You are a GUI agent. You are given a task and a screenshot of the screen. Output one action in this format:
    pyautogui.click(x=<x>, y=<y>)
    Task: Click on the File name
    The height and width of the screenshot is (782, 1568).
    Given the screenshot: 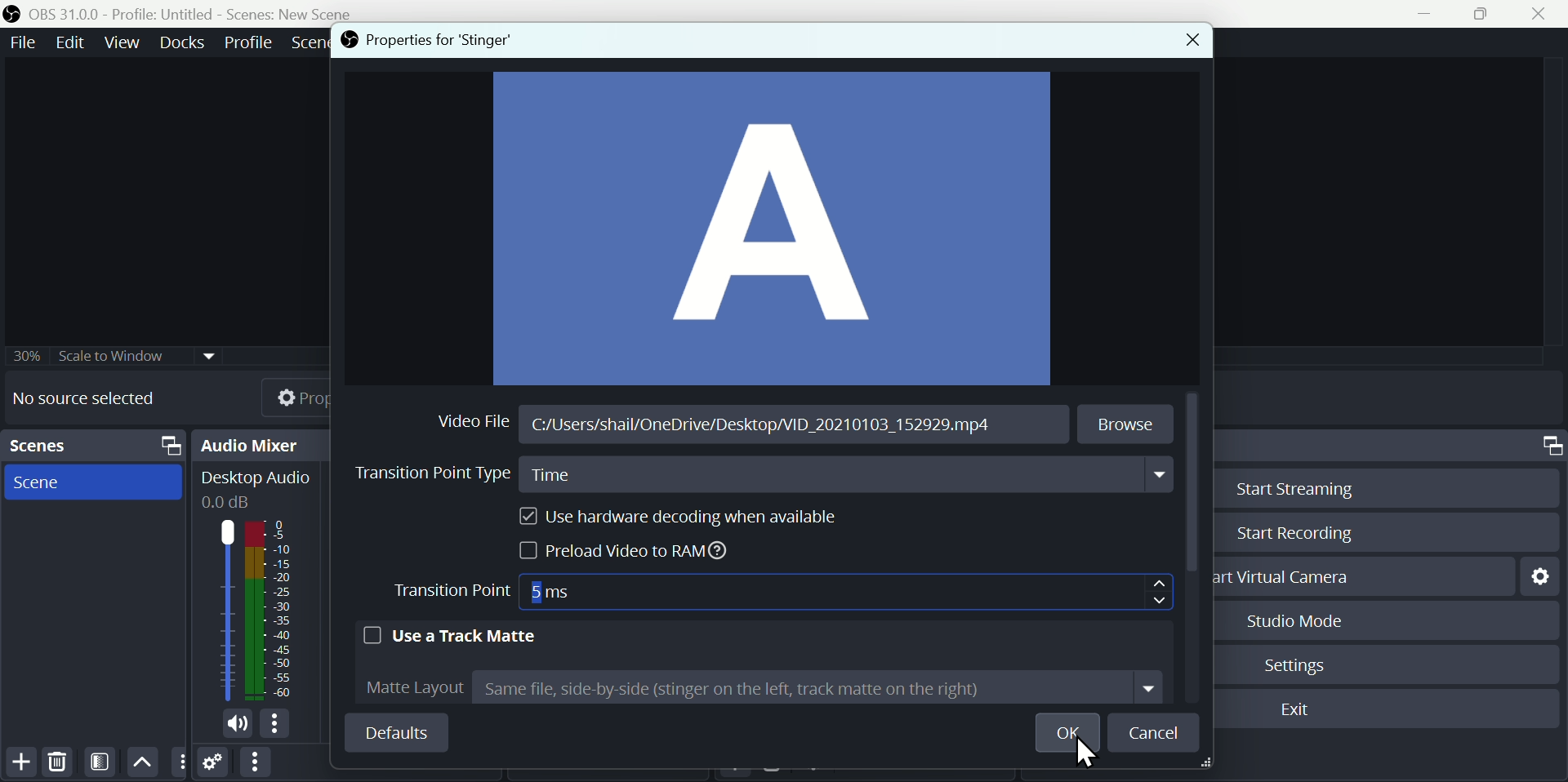 What is the action you would take?
    pyautogui.click(x=757, y=429)
    